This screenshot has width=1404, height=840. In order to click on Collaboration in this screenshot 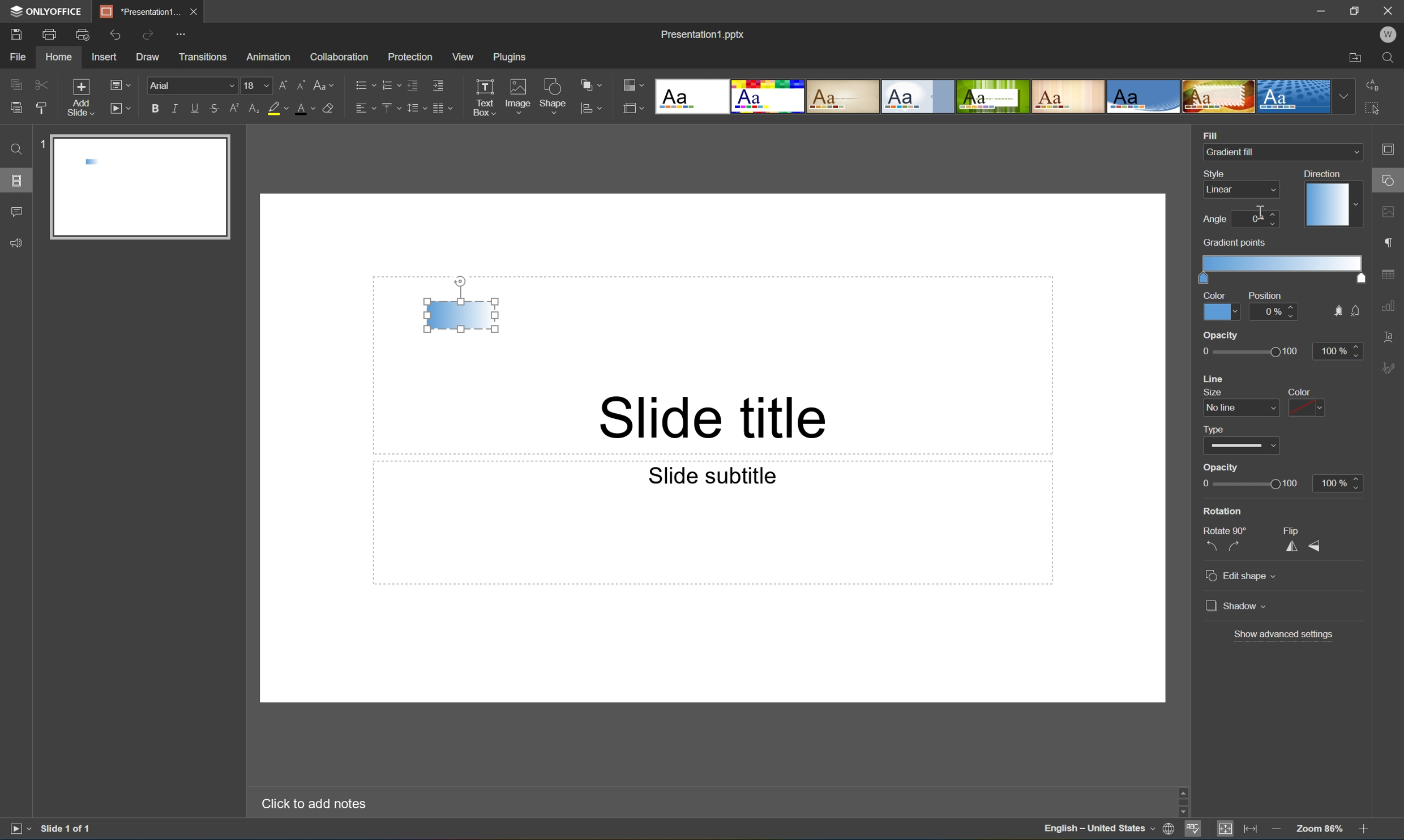, I will do `click(337, 56)`.